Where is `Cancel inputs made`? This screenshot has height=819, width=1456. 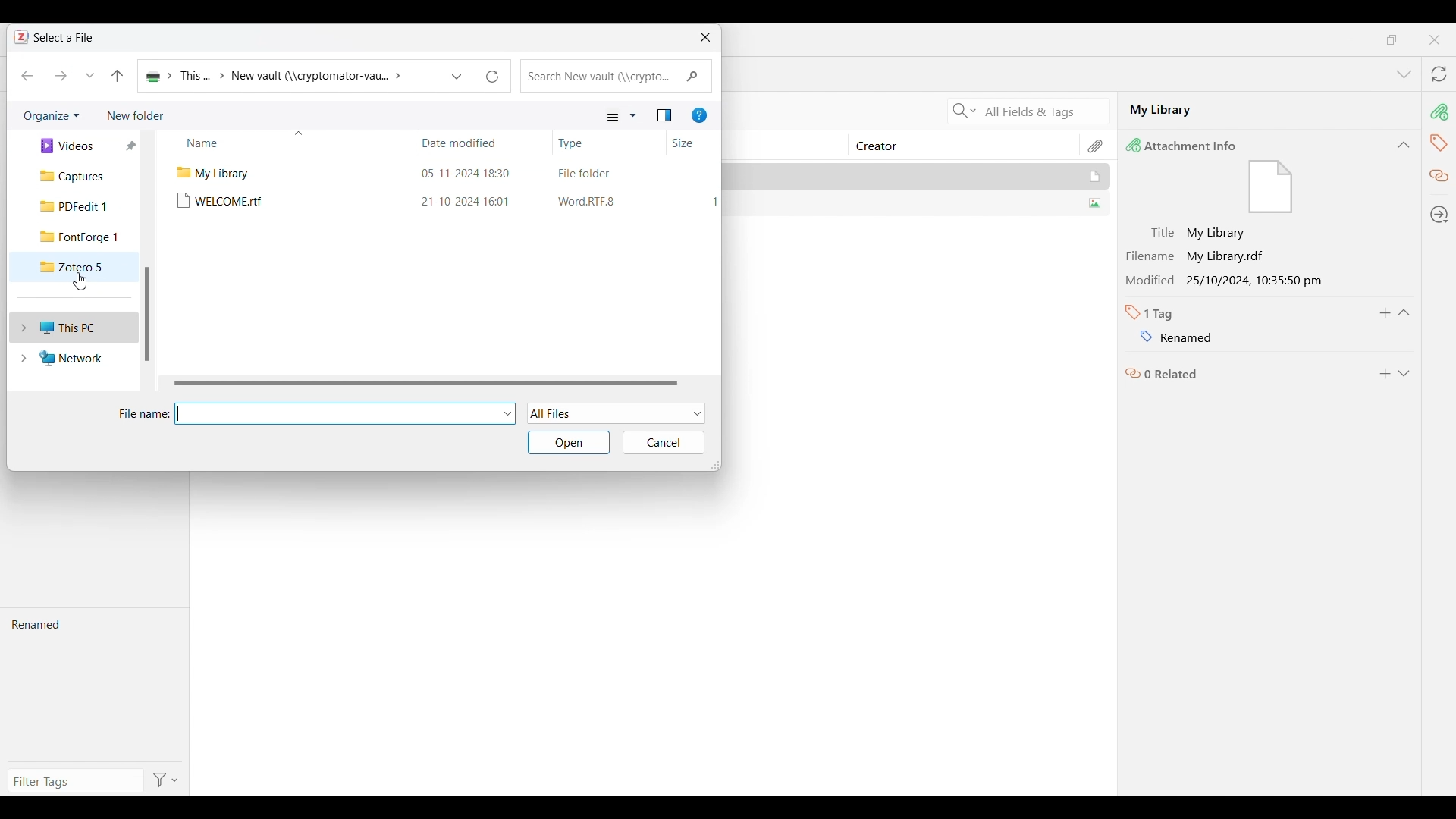 Cancel inputs made is located at coordinates (664, 443).